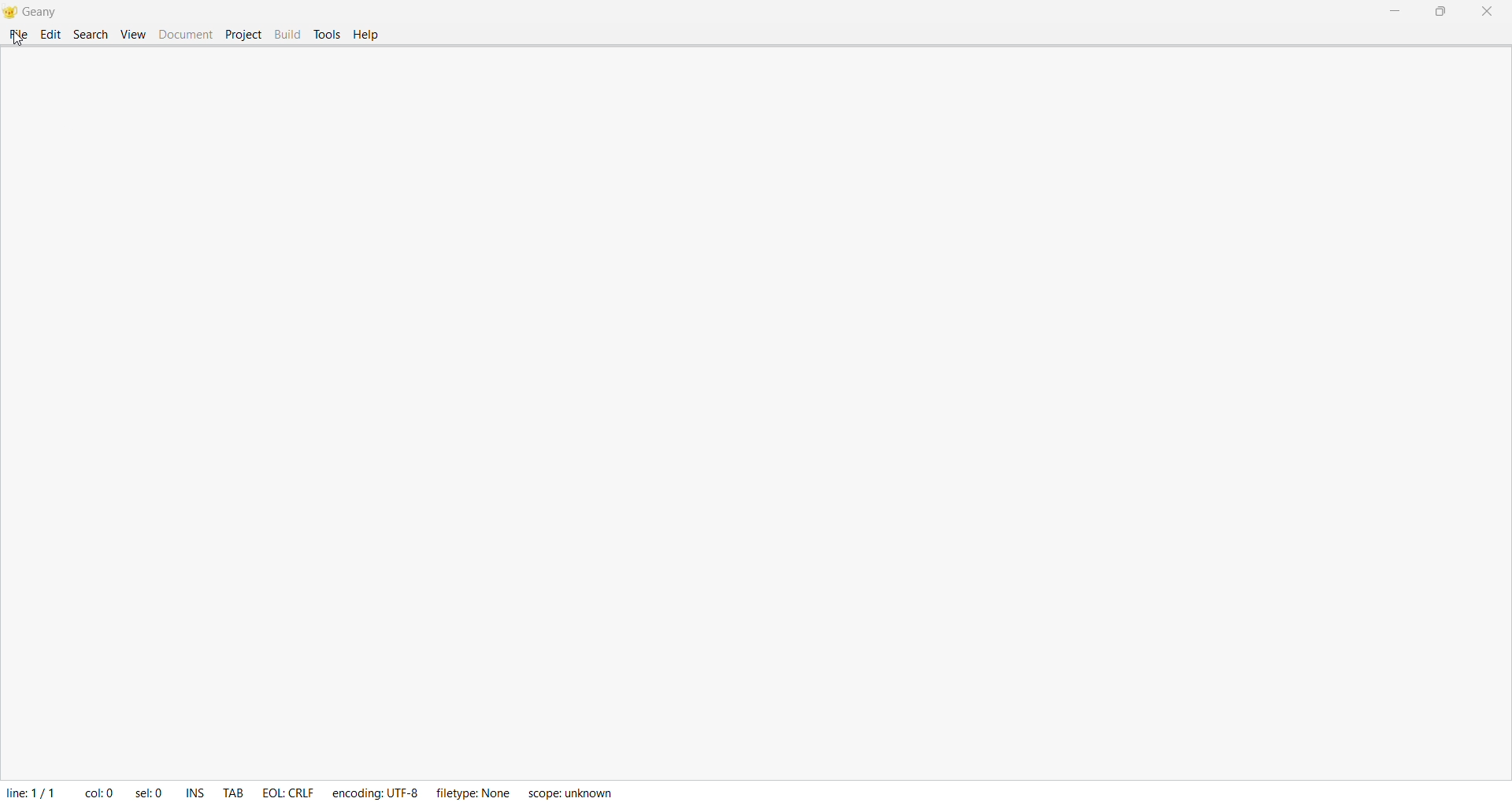 This screenshot has width=1512, height=802. Describe the element at coordinates (20, 35) in the screenshot. I see `File` at that location.